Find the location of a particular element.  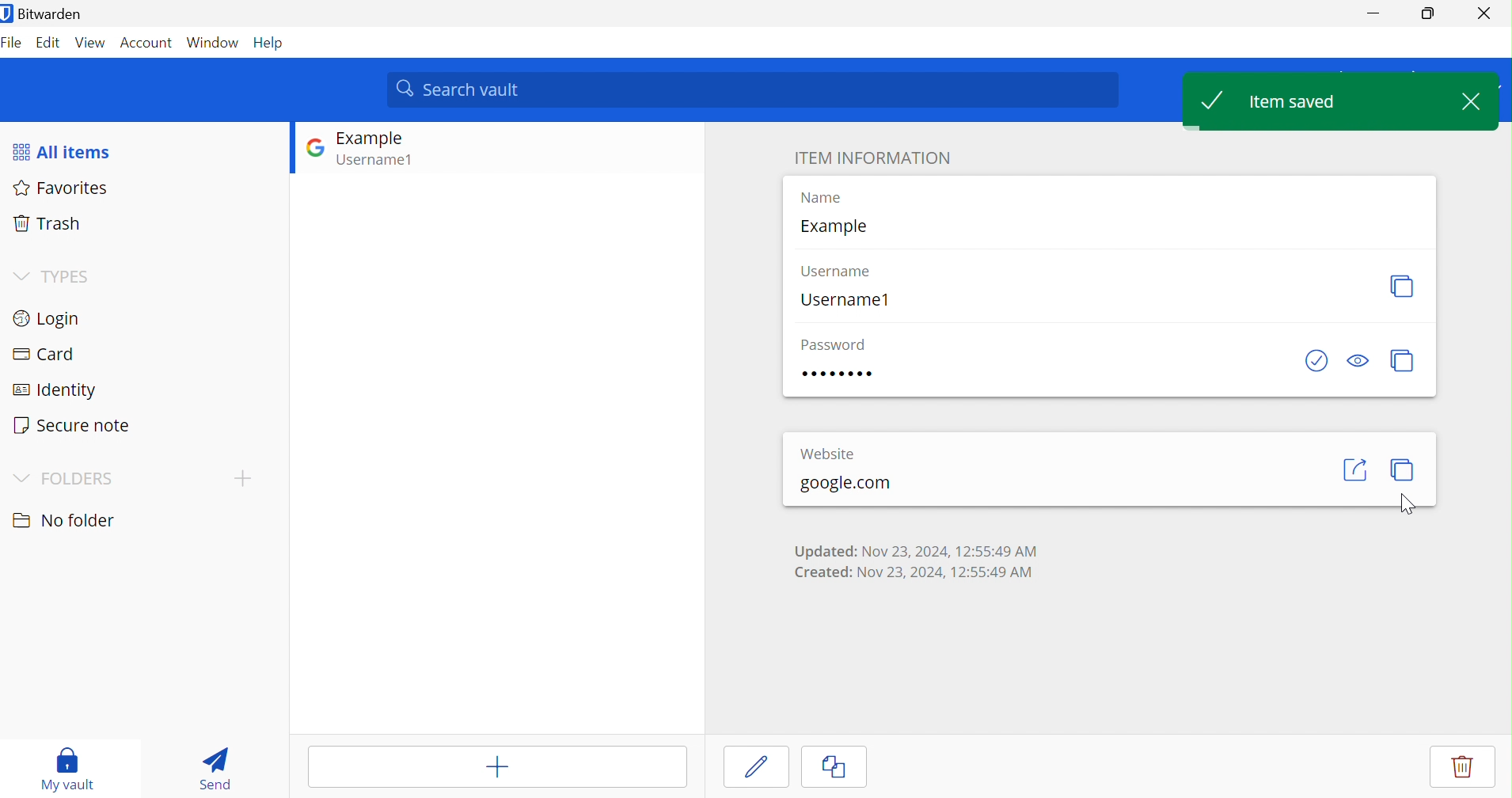

Restore Down is located at coordinates (1429, 13).